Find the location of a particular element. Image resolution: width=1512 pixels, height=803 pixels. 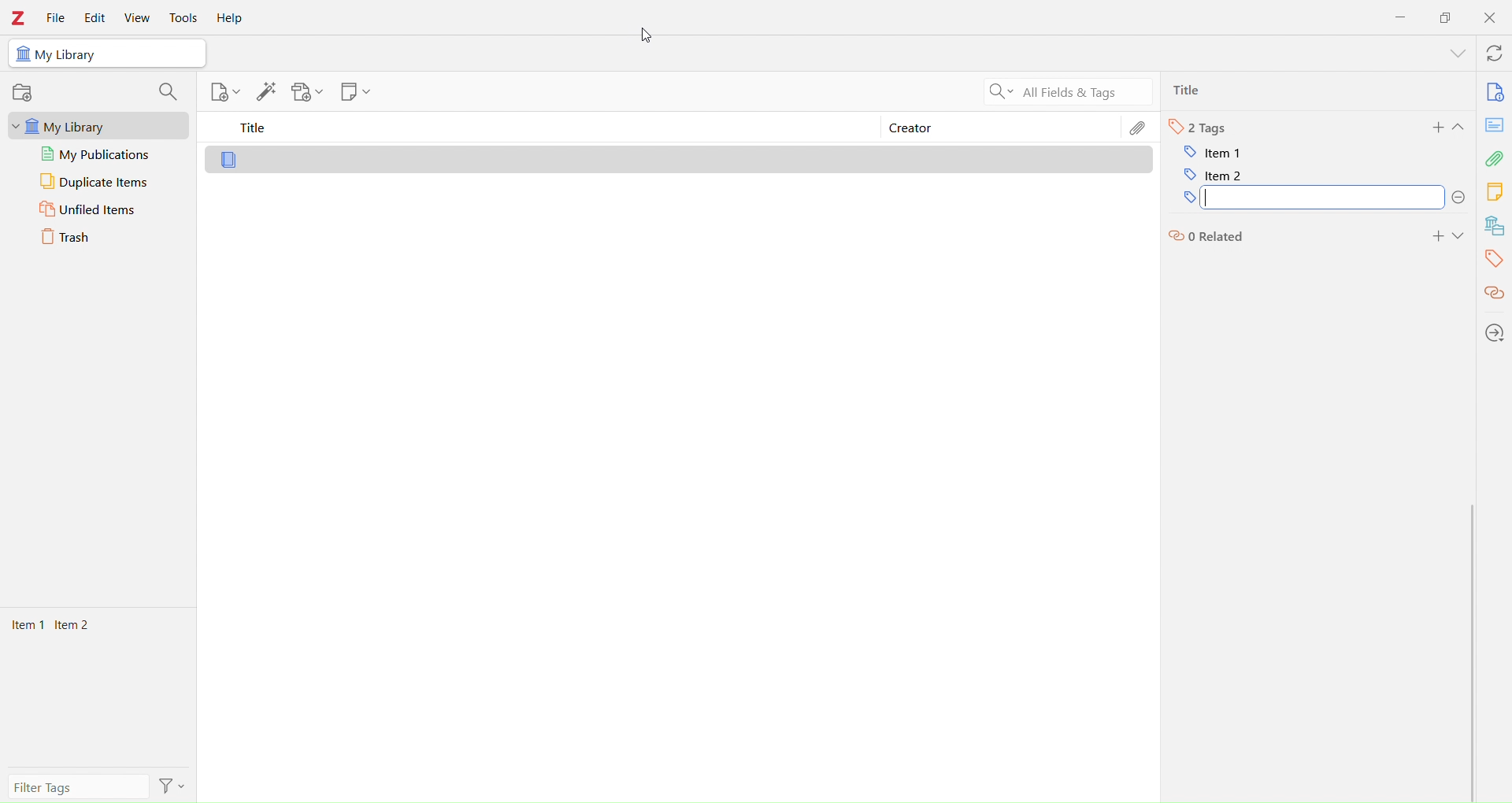

Duplicate Items is located at coordinates (99, 183).